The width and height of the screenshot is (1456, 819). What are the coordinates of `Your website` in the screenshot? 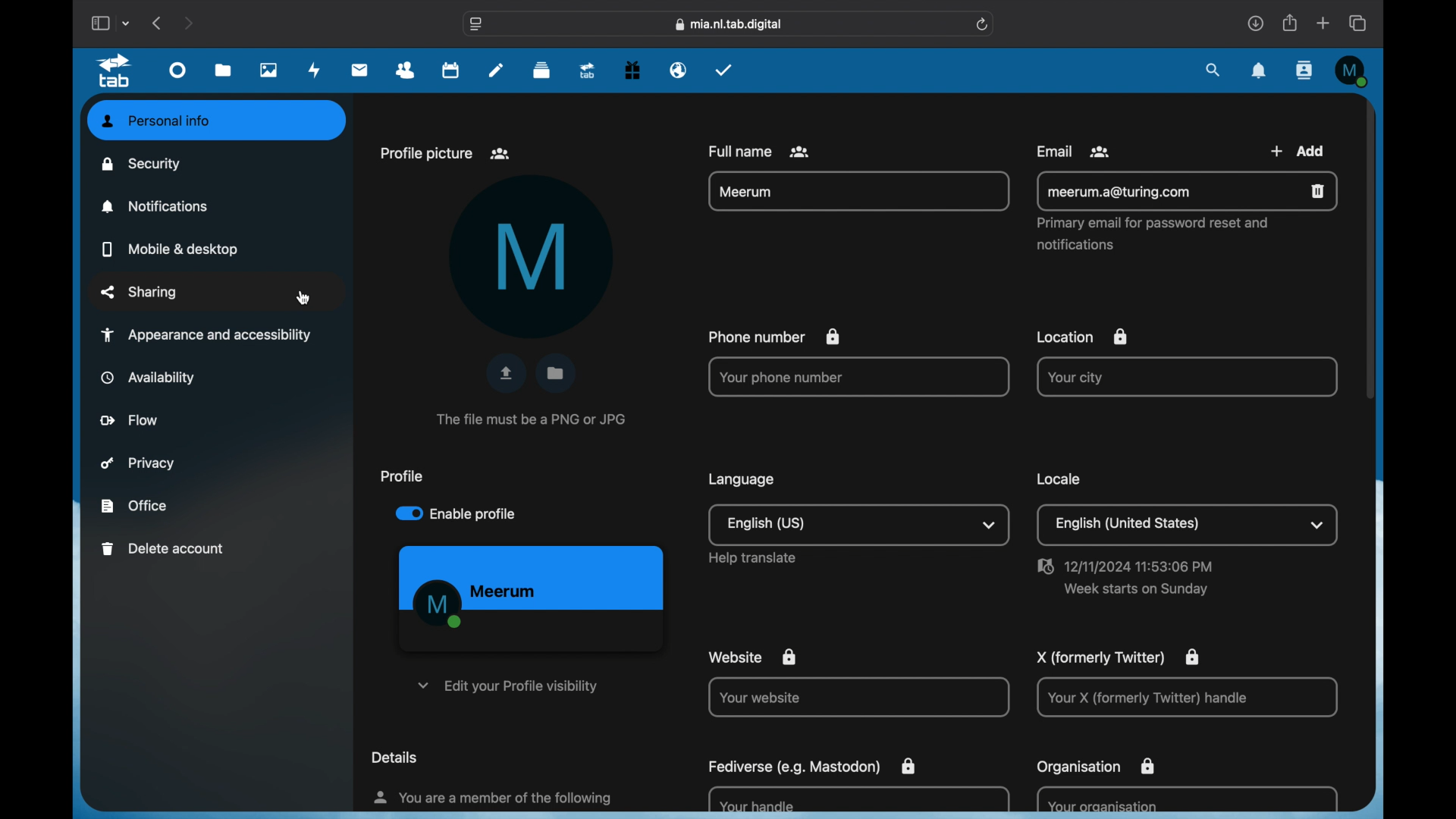 It's located at (858, 698).